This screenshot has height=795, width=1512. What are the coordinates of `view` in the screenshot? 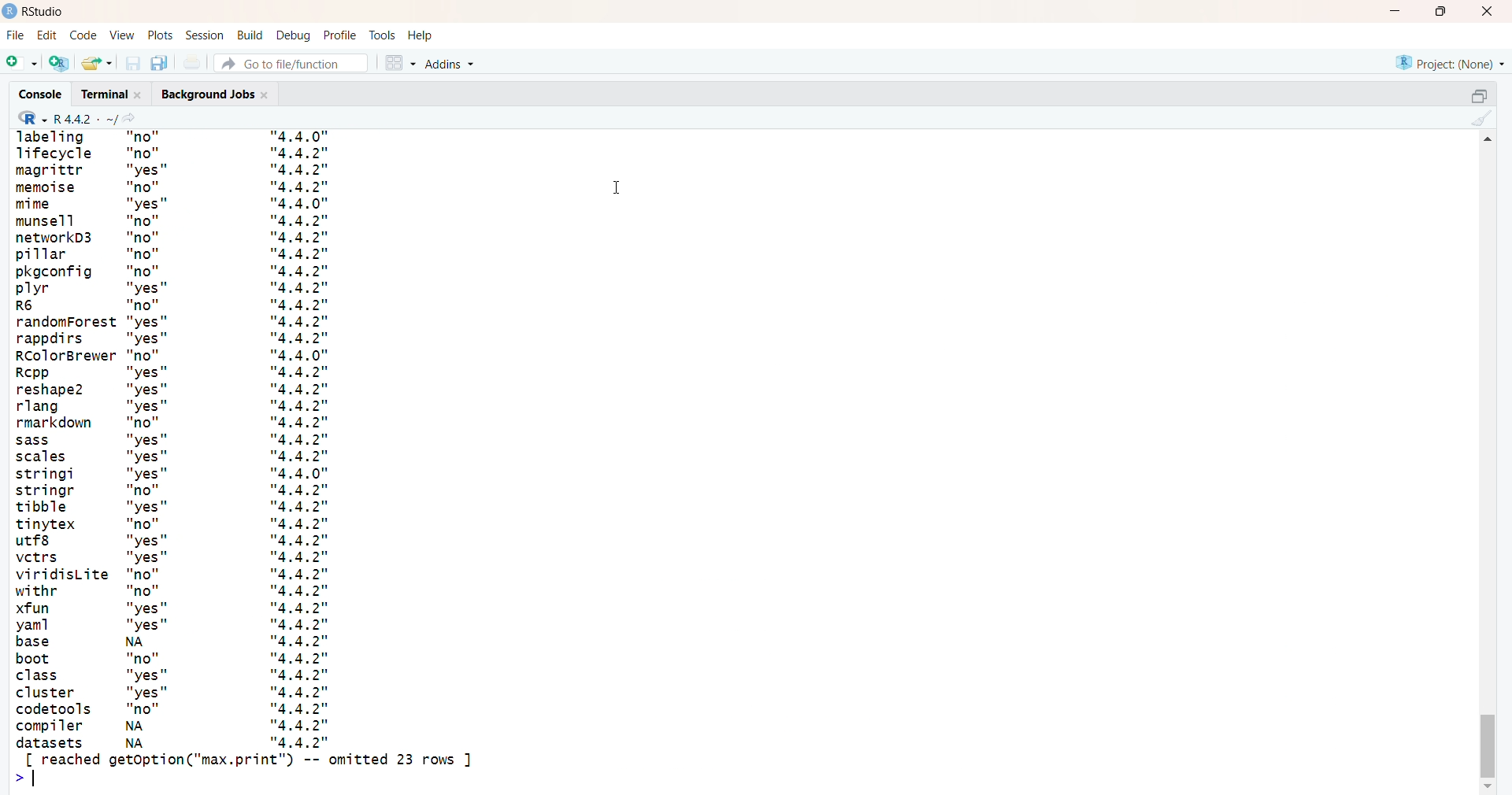 It's located at (121, 34).